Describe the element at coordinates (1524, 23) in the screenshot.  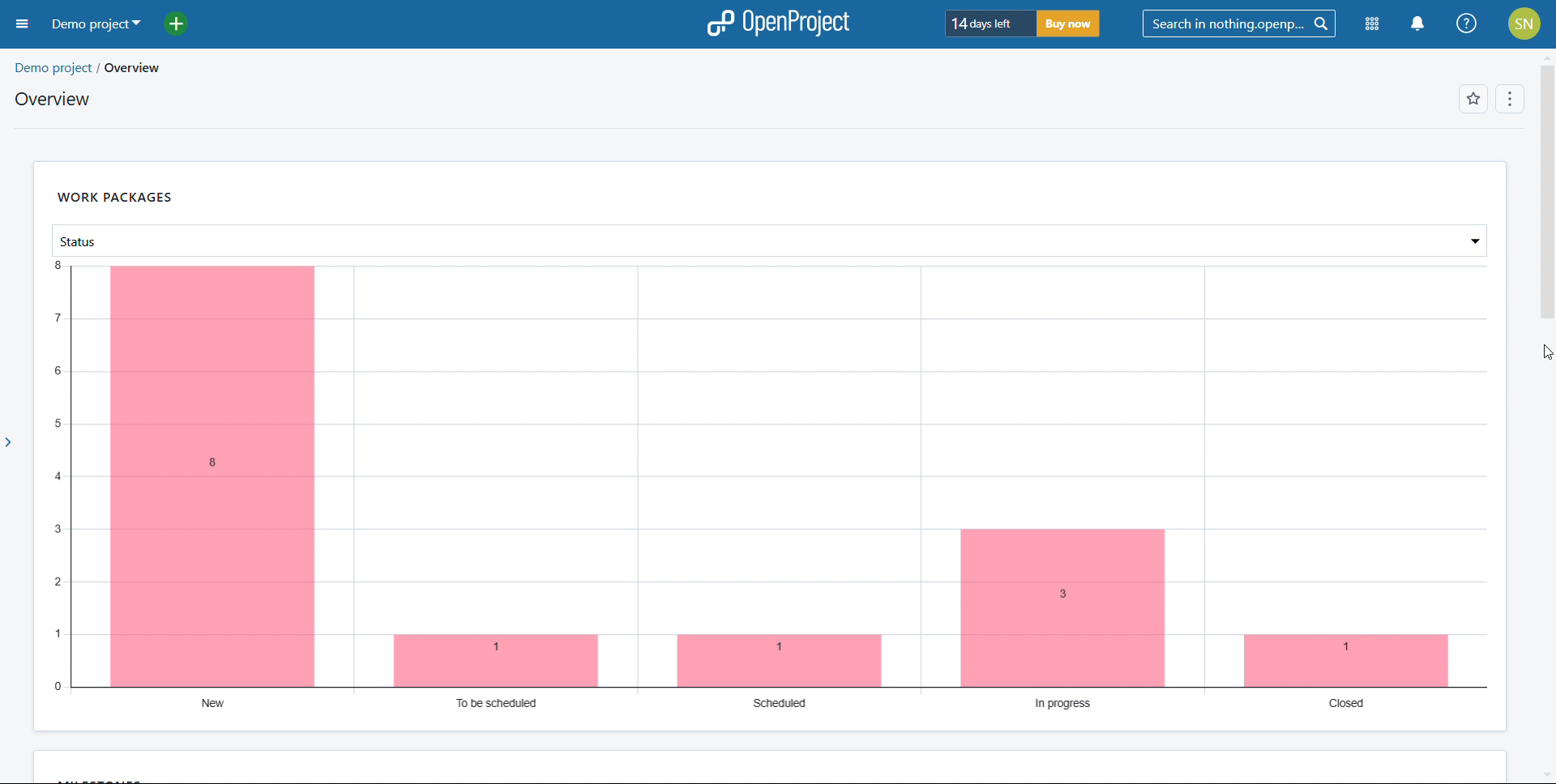
I see `account` at that location.